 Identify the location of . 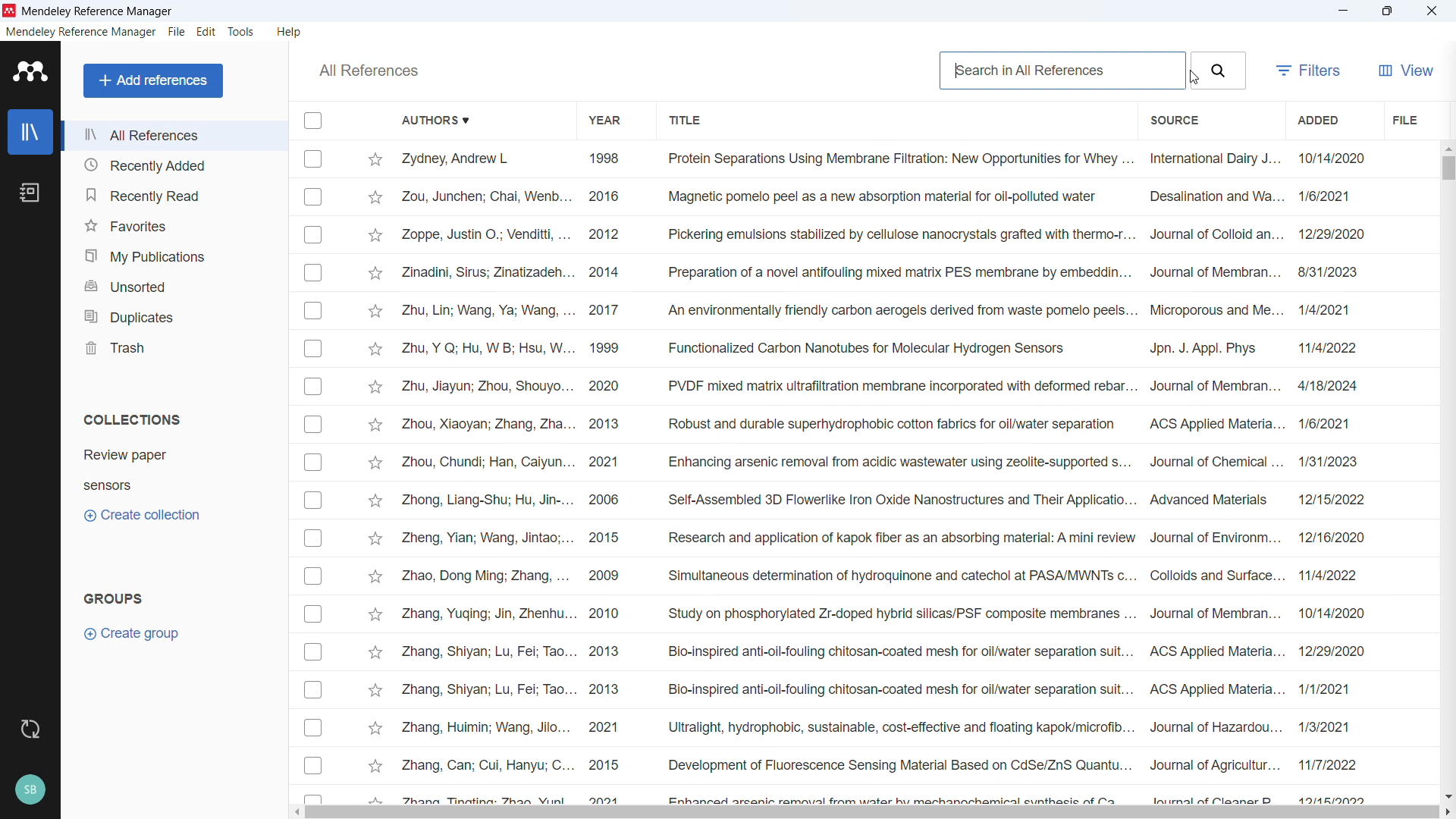
(369, 71).